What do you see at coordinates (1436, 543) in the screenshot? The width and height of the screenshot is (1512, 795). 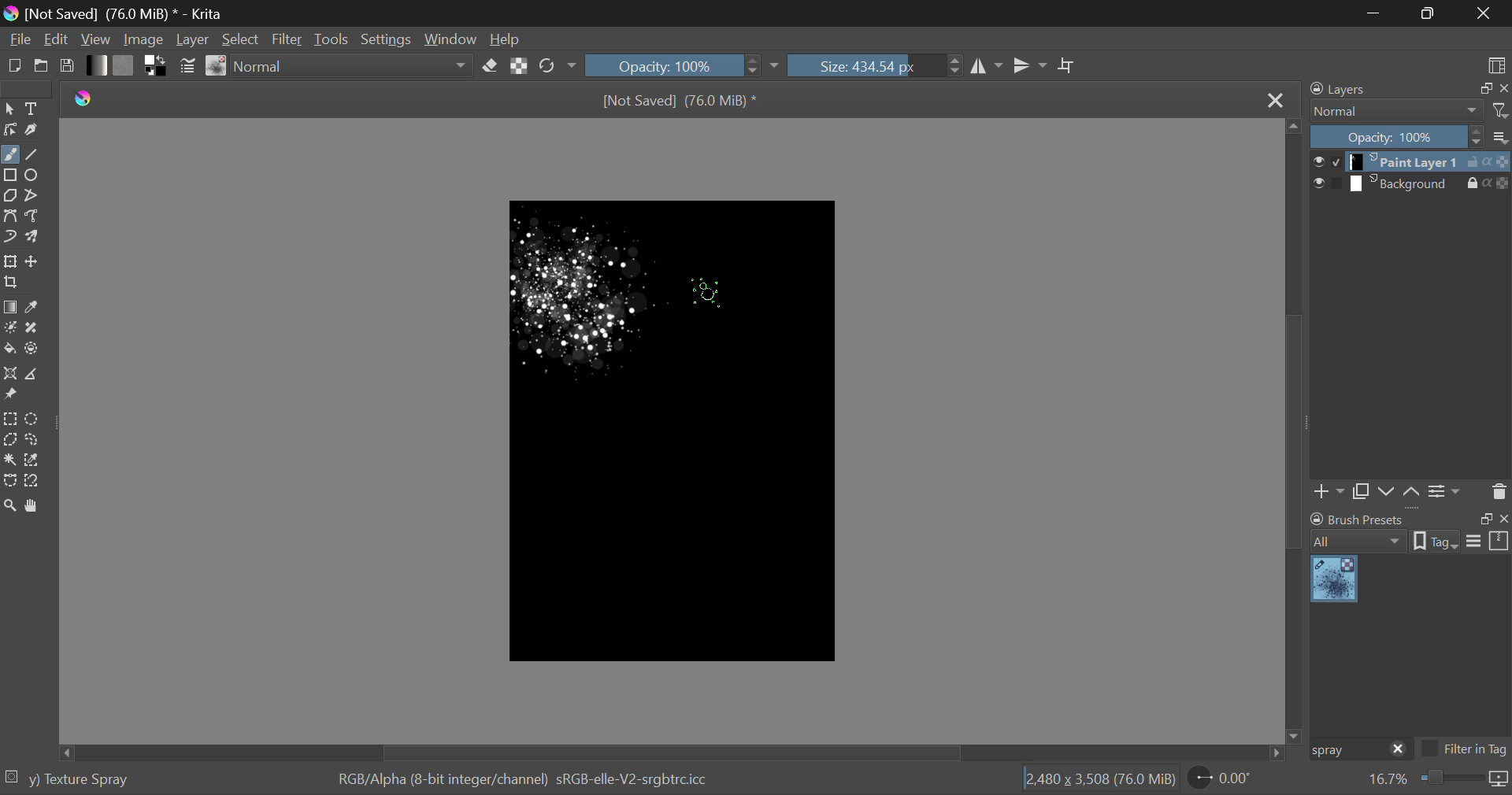 I see `tag` at bounding box center [1436, 543].